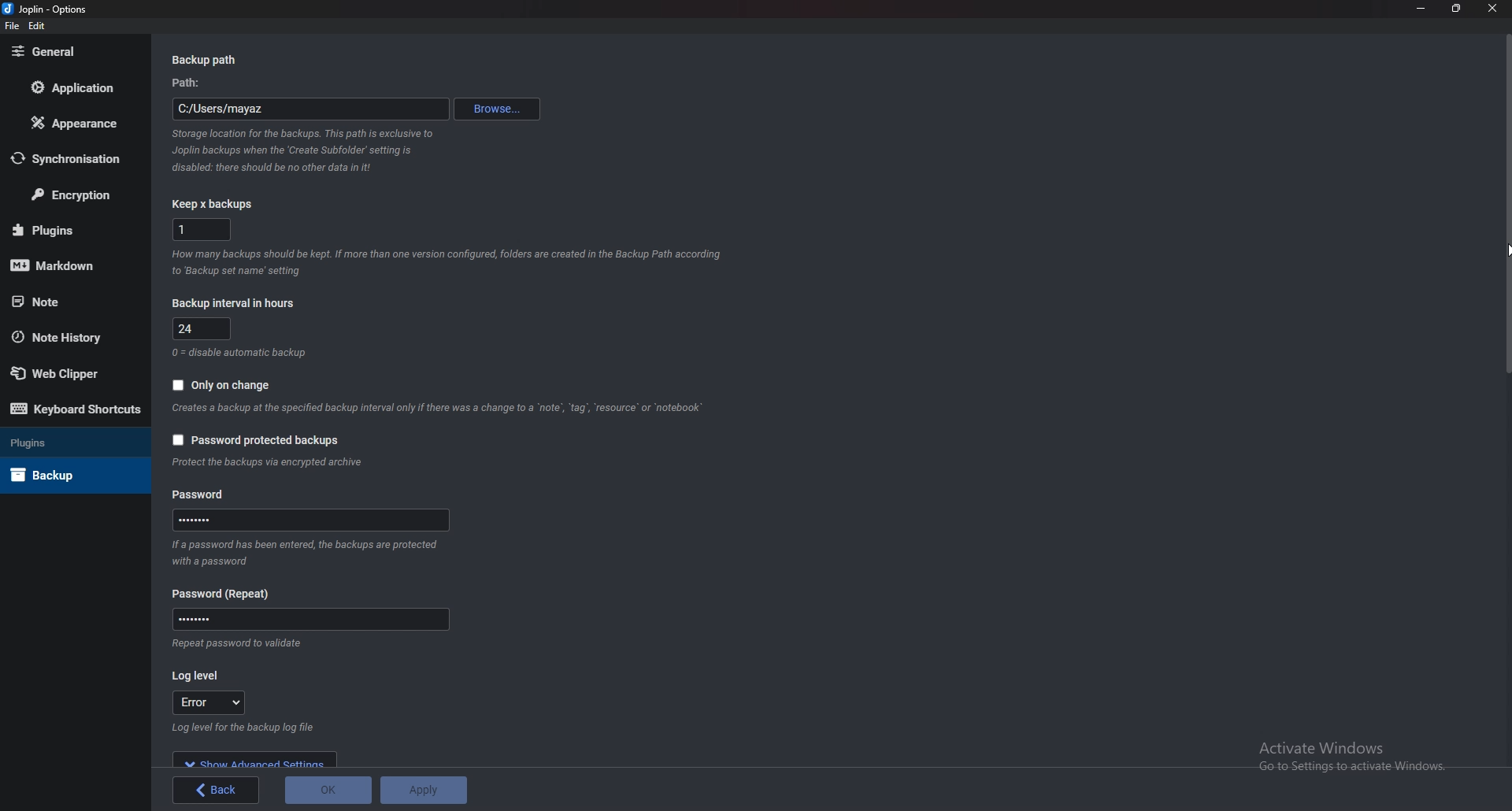 This screenshot has height=811, width=1512. I want to click on scroll bar, so click(1505, 394).